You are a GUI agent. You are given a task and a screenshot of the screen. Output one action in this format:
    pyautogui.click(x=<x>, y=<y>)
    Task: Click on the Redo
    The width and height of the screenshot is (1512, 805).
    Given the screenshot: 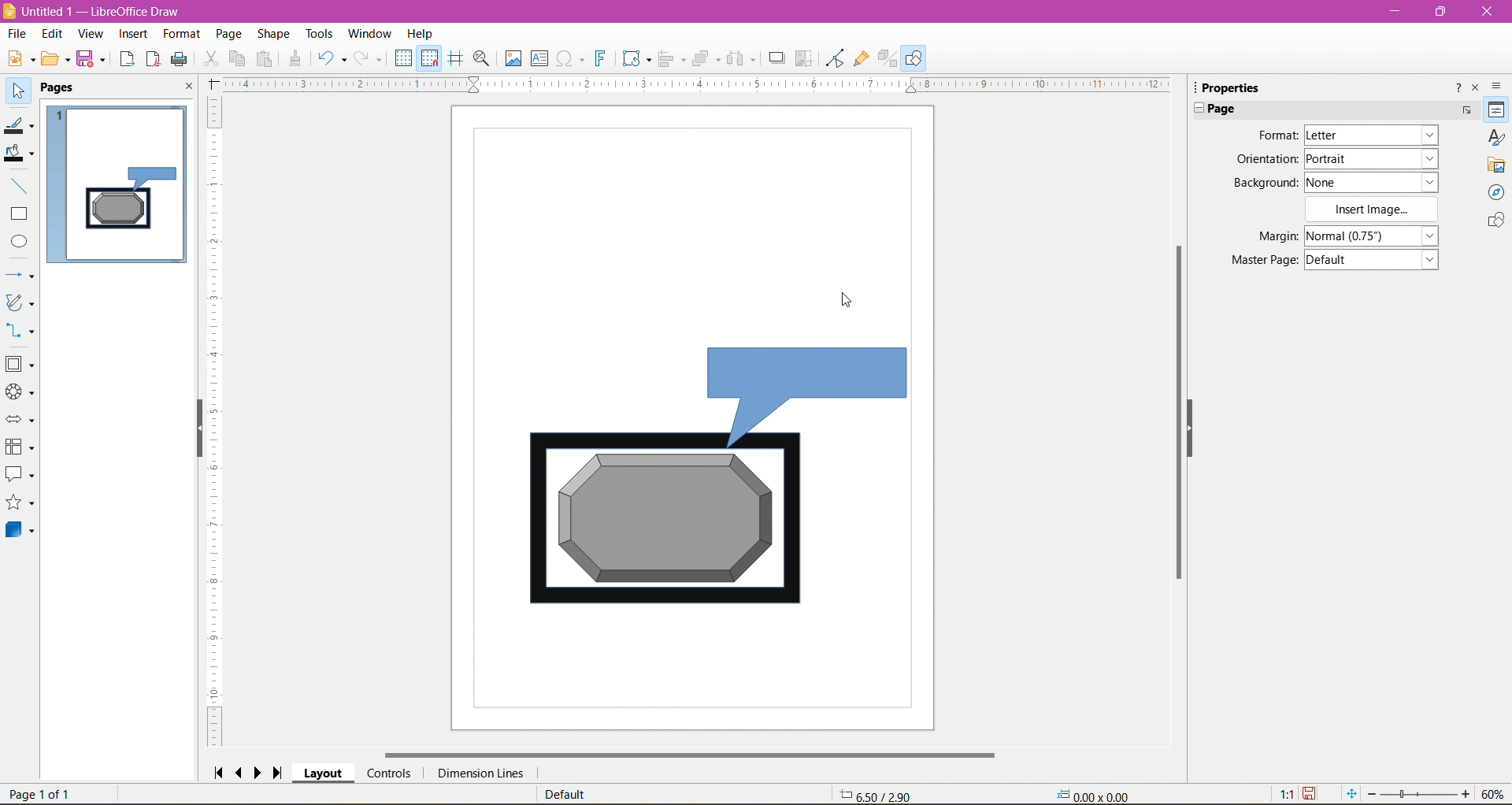 What is the action you would take?
    pyautogui.click(x=370, y=58)
    